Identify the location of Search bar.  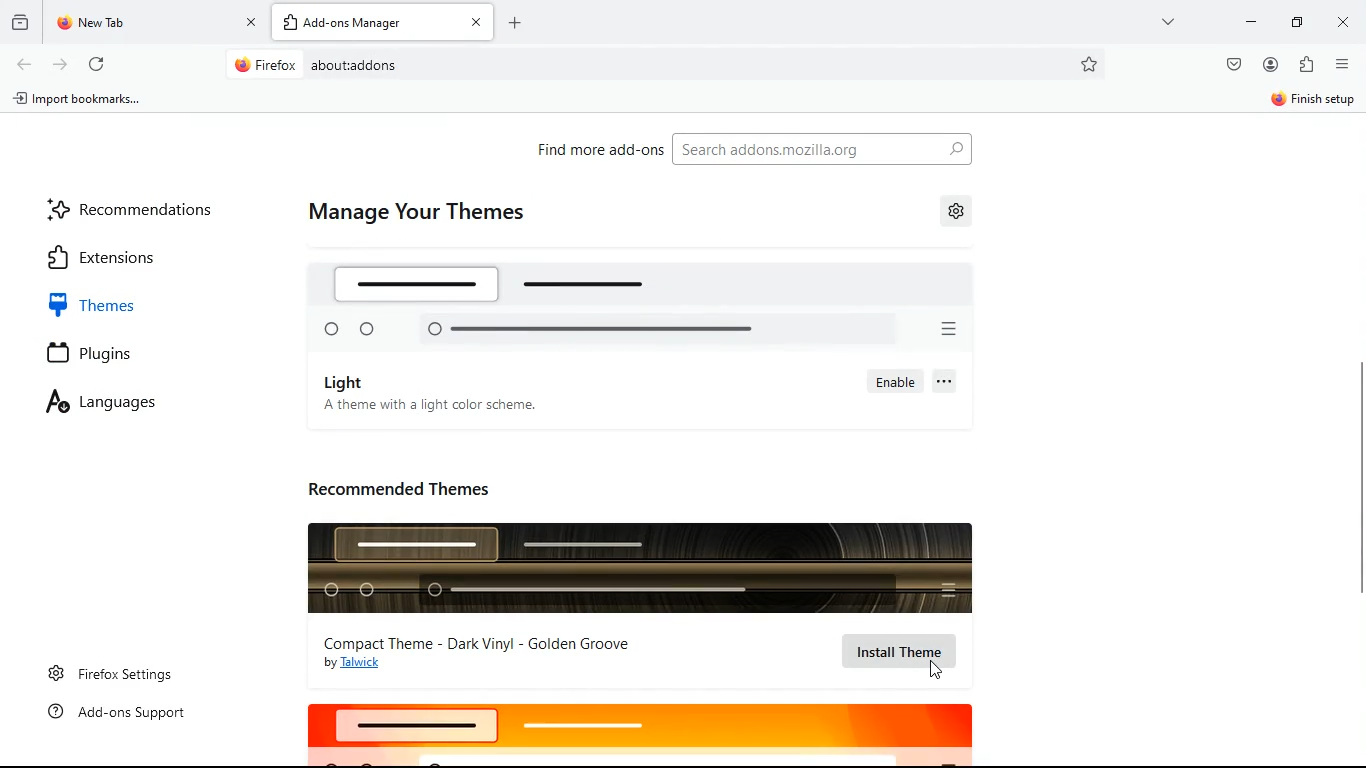
(670, 65).